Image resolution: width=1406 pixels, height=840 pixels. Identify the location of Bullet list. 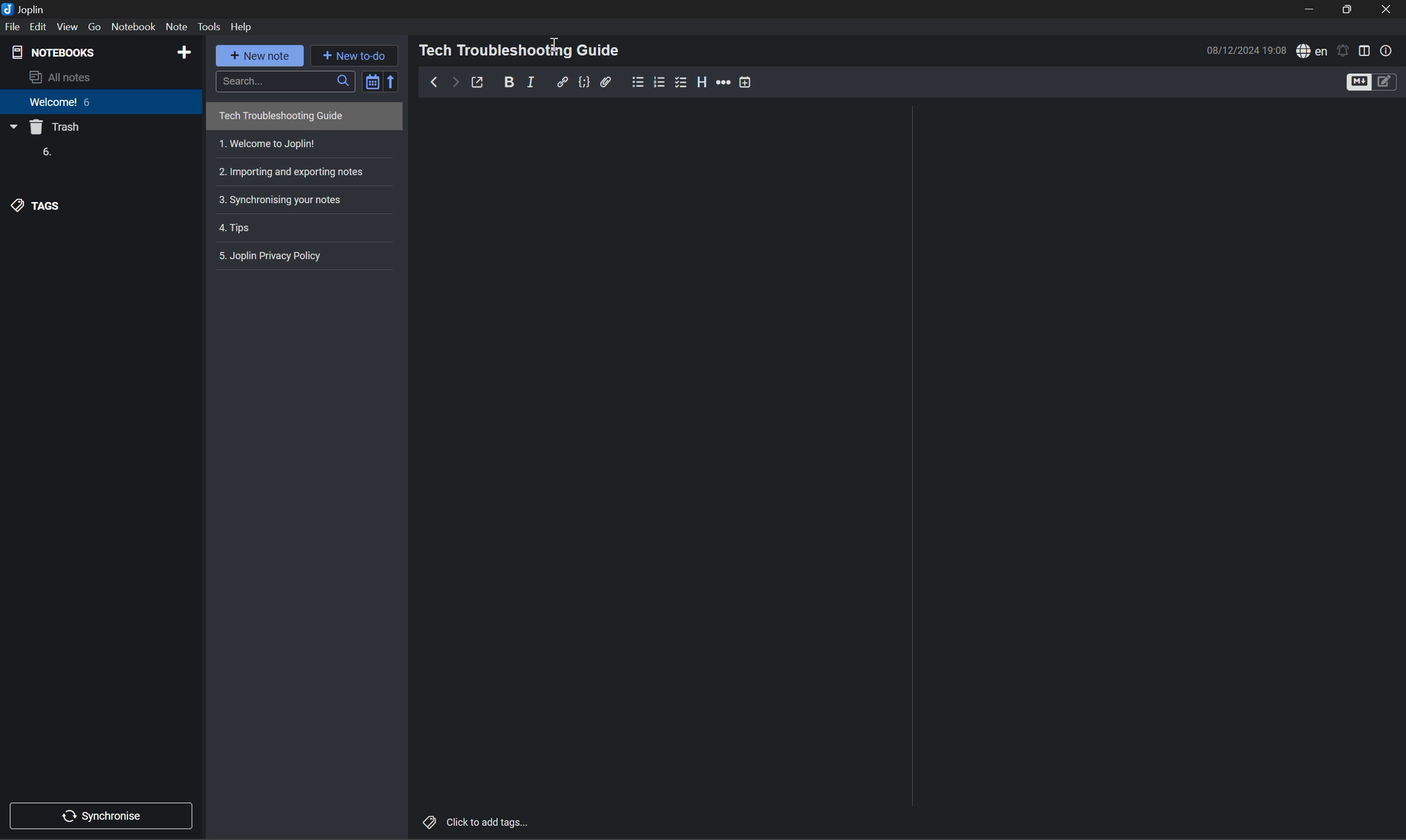
(638, 80).